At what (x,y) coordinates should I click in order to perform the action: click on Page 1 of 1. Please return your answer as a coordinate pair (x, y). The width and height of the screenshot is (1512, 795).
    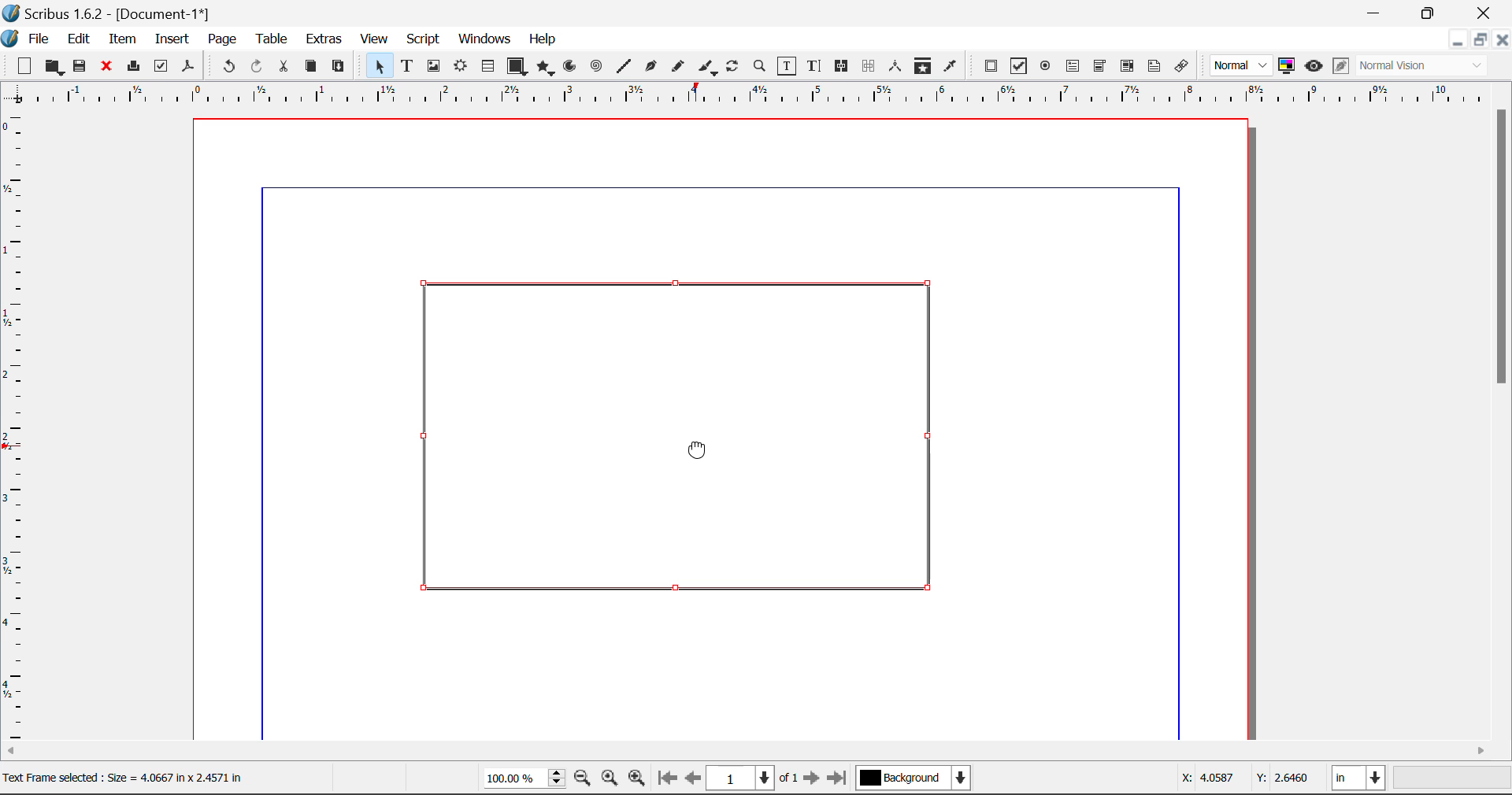
    Looking at the image, I should click on (754, 778).